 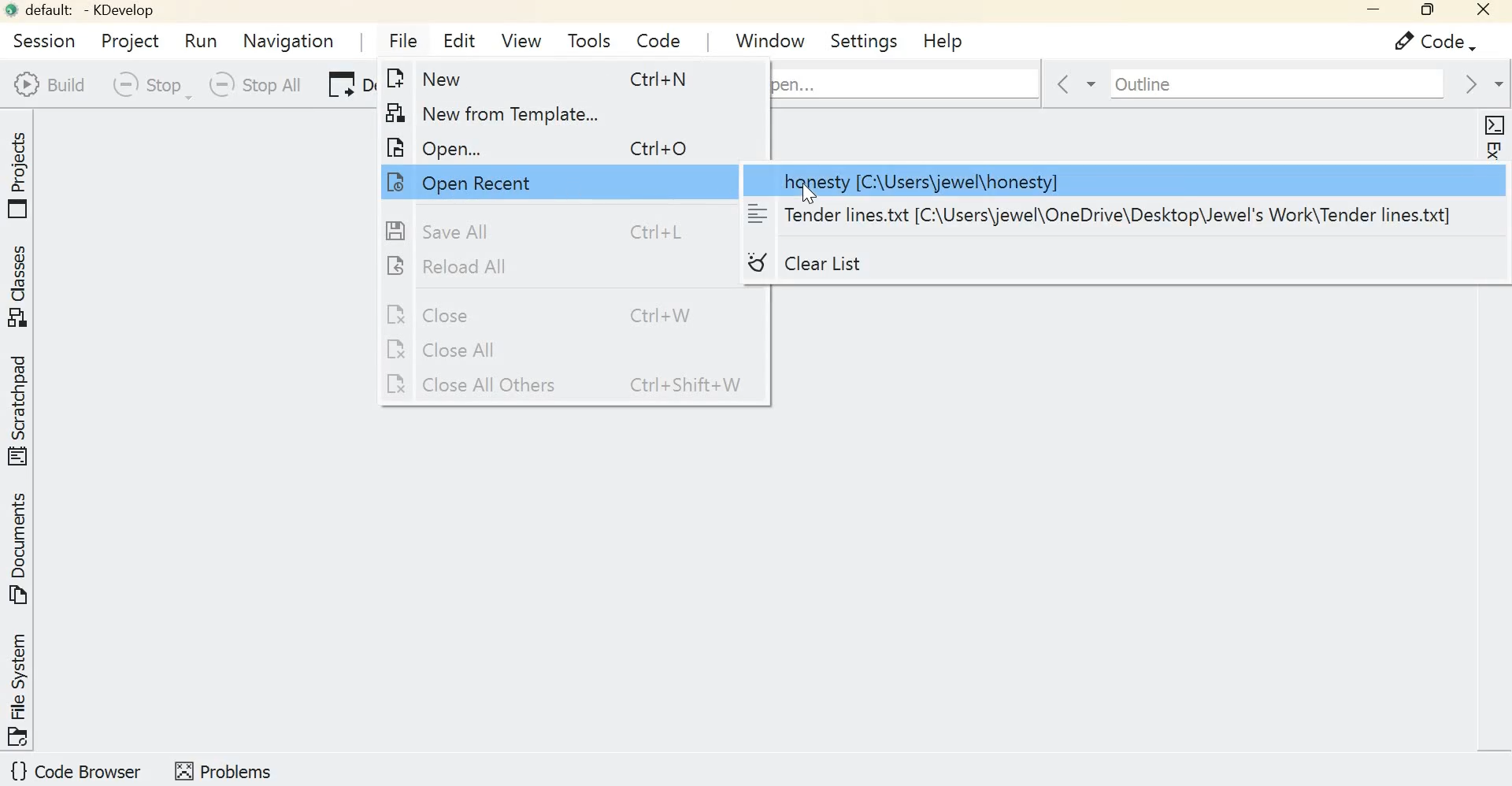 What do you see at coordinates (545, 111) in the screenshot?
I see `New from template` at bounding box center [545, 111].